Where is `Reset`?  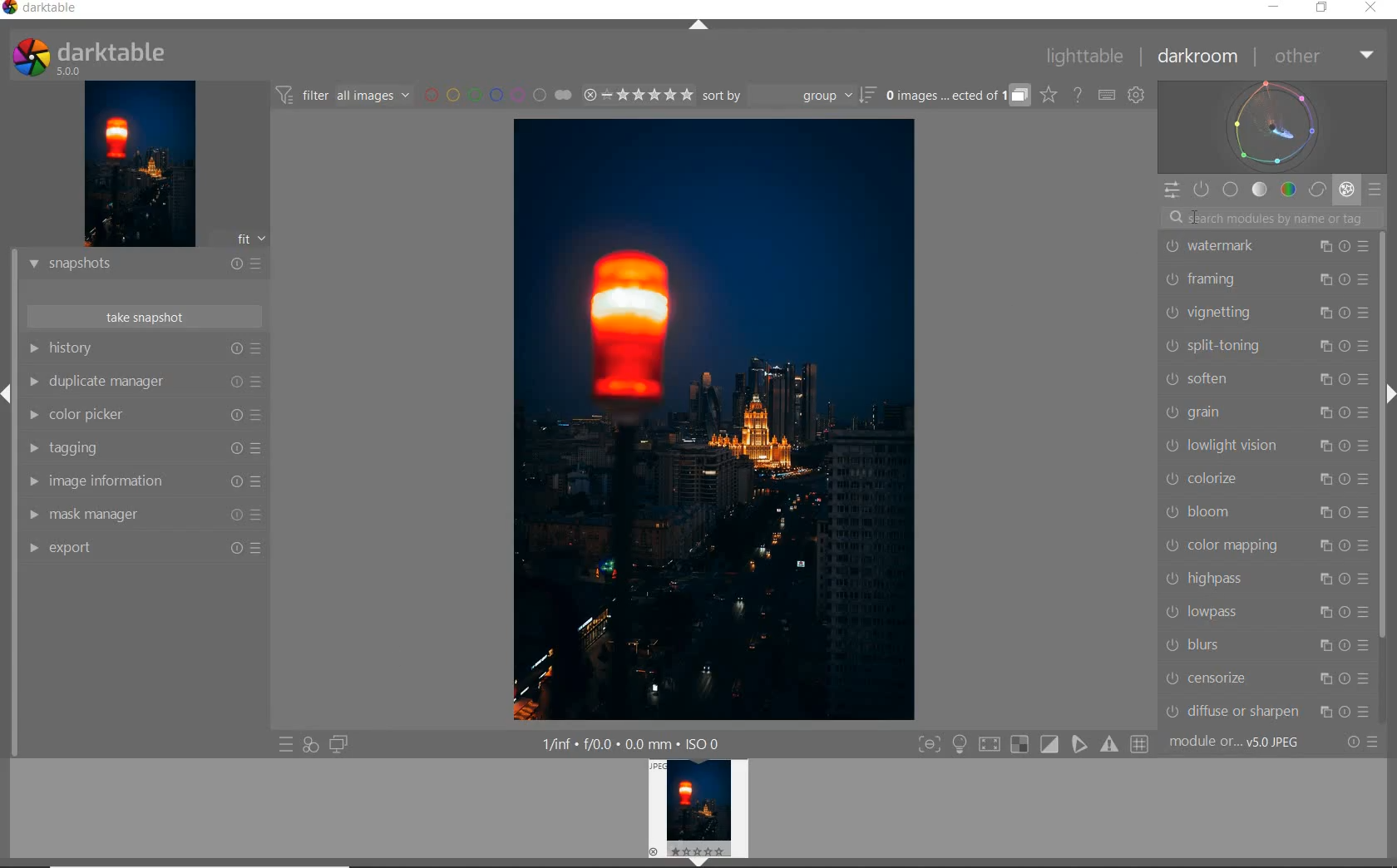 Reset is located at coordinates (1343, 412).